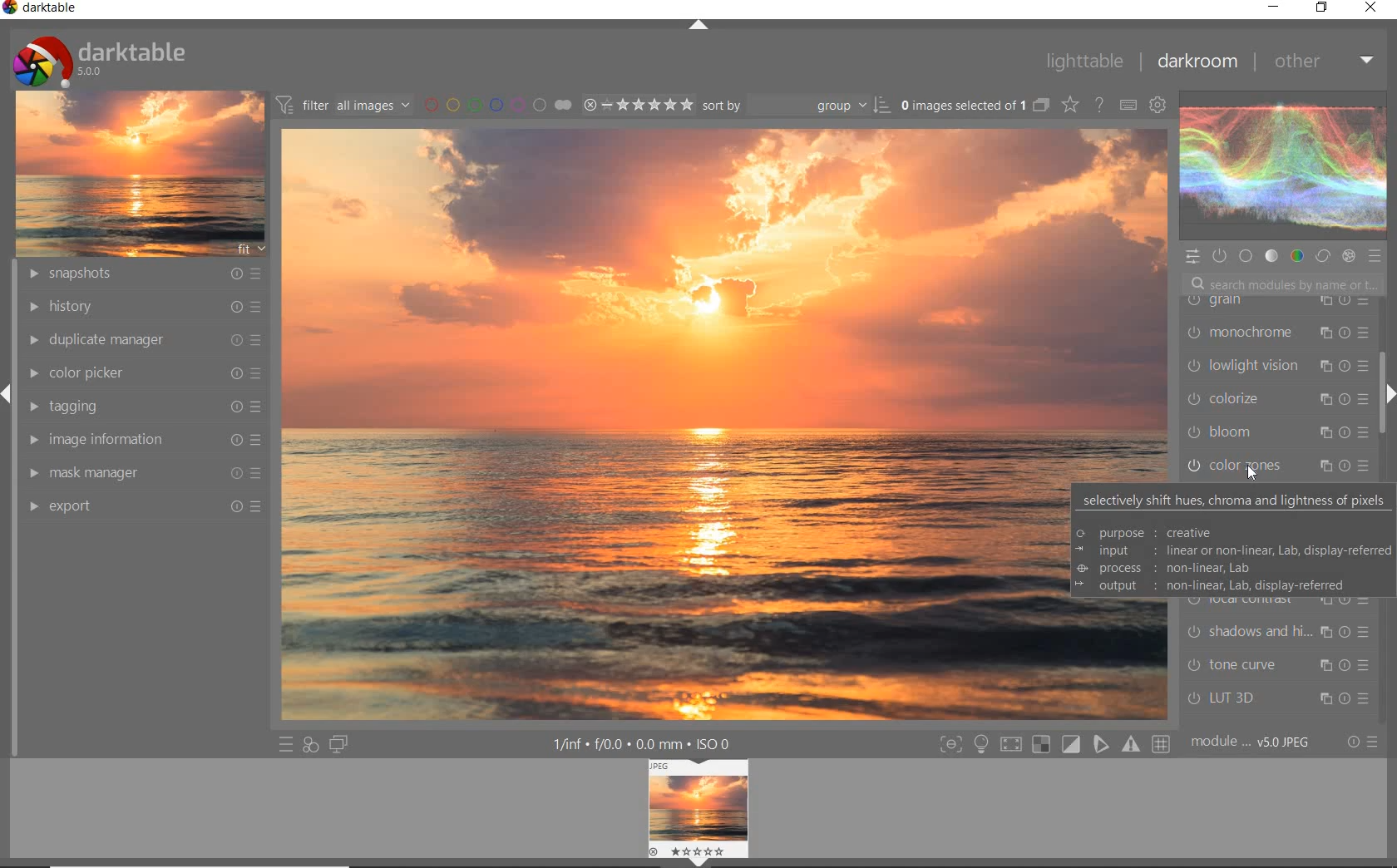 The image size is (1397, 868). Describe the element at coordinates (143, 307) in the screenshot. I see `HISTORY` at that location.